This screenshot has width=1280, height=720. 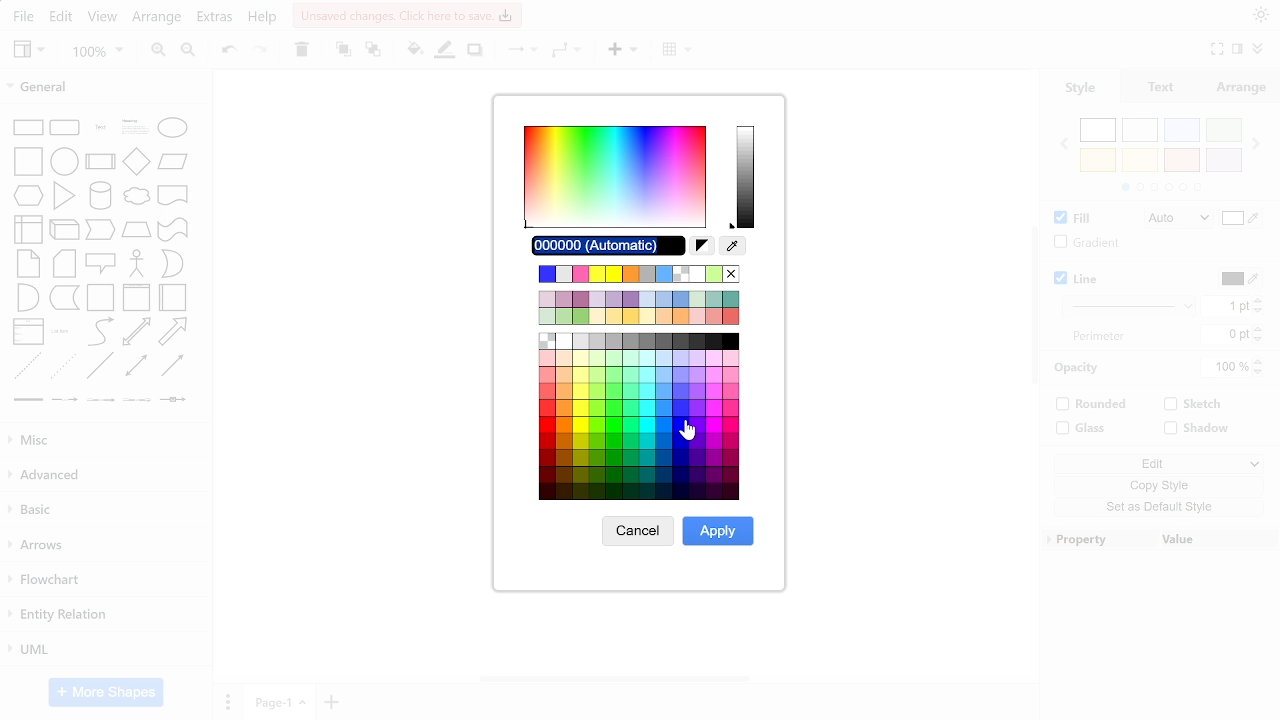 What do you see at coordinates (1238, 51) in the screenshot?
I see `collapse` at bounding box center [1238, 51].